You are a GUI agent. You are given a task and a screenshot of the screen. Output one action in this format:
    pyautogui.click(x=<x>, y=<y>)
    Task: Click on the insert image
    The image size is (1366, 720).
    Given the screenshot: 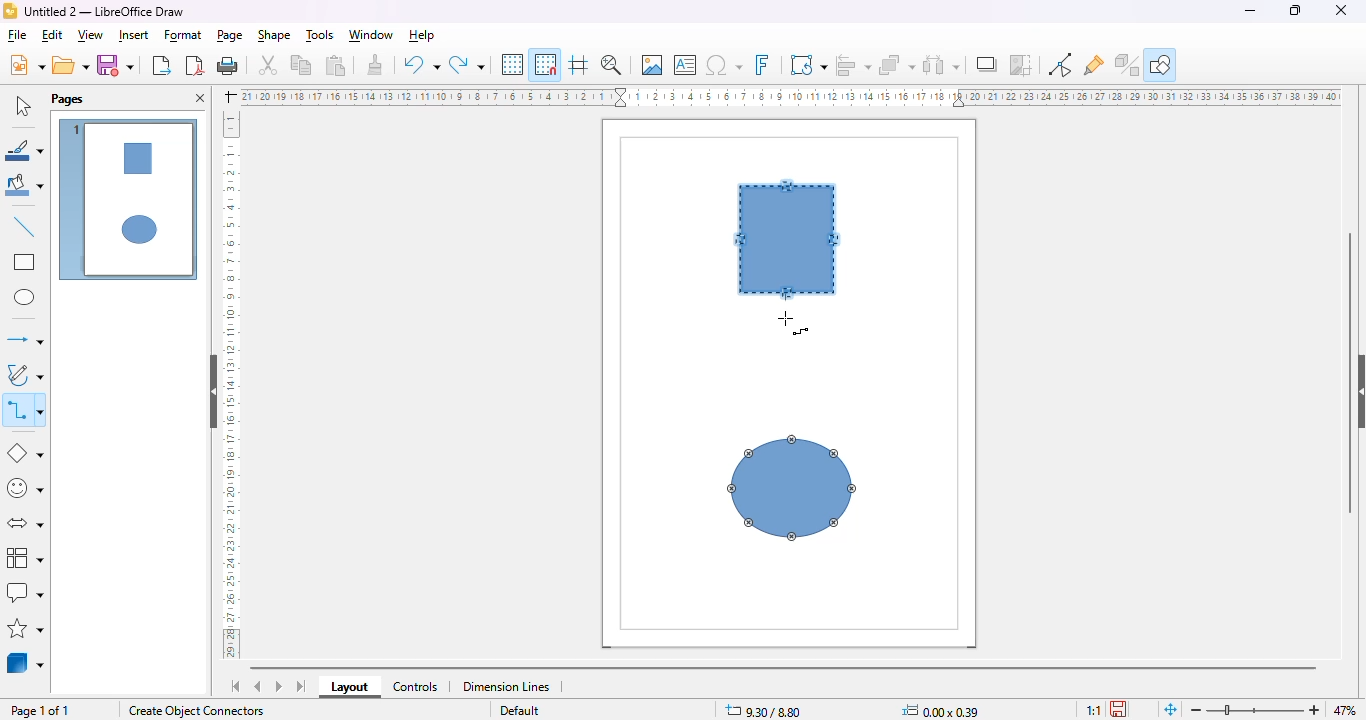 What is the action you would take?
    pyautogui.click(x=652, y=64)
    